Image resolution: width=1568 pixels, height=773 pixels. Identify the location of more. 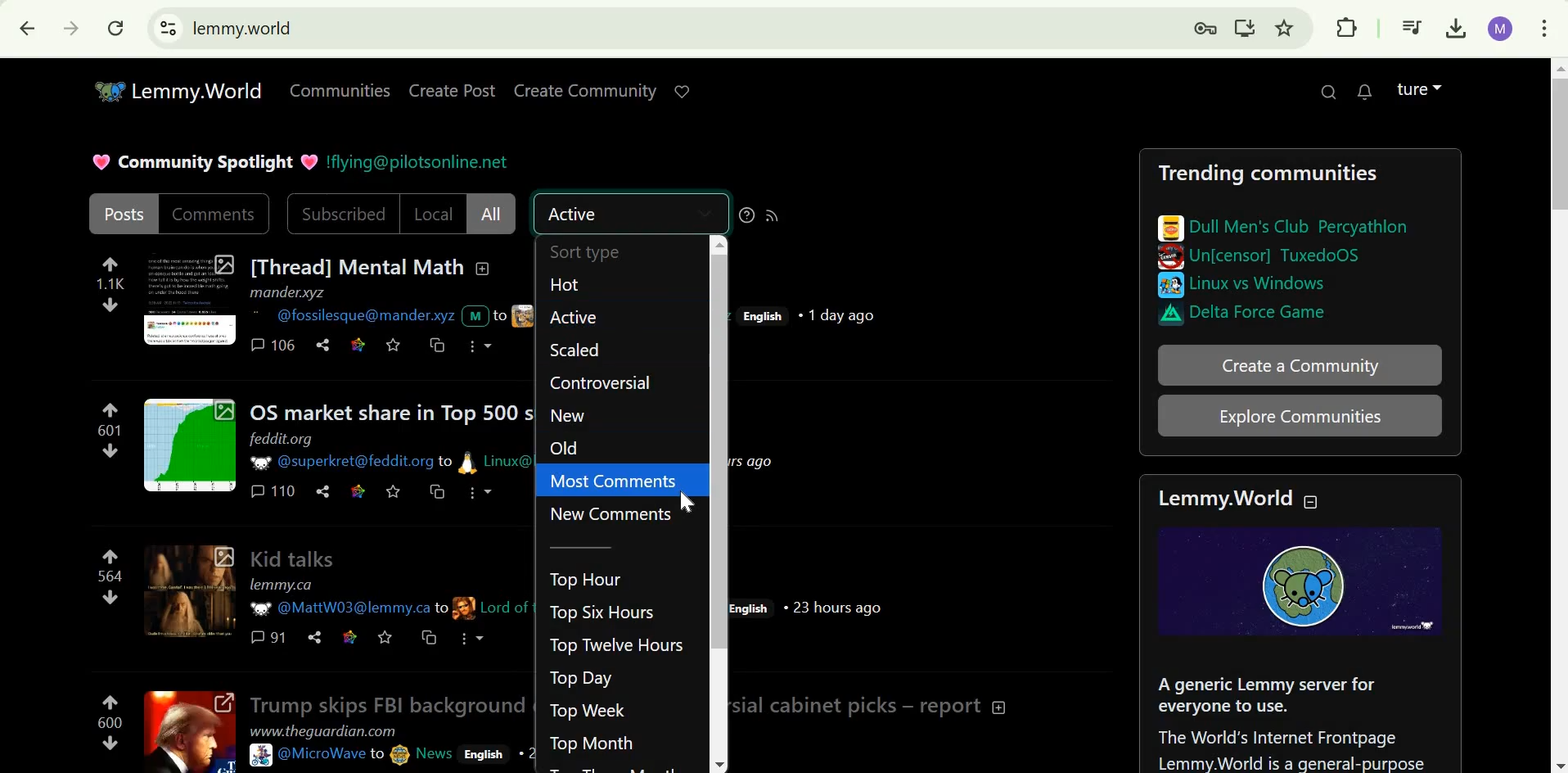
(480, 346).